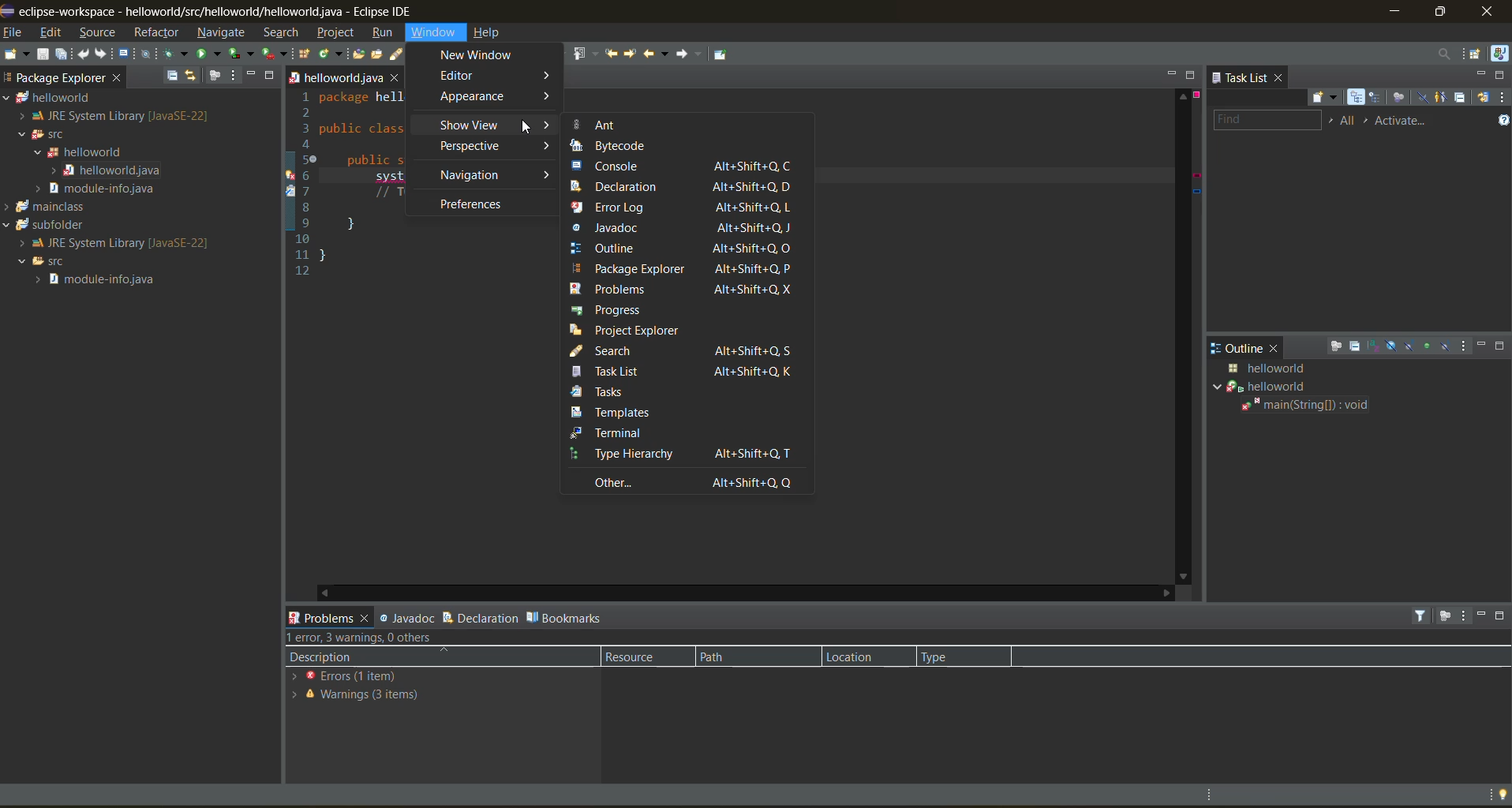  Describe the element at coordinates (684, 185) in the screenshot. I see `declaration` at that location.